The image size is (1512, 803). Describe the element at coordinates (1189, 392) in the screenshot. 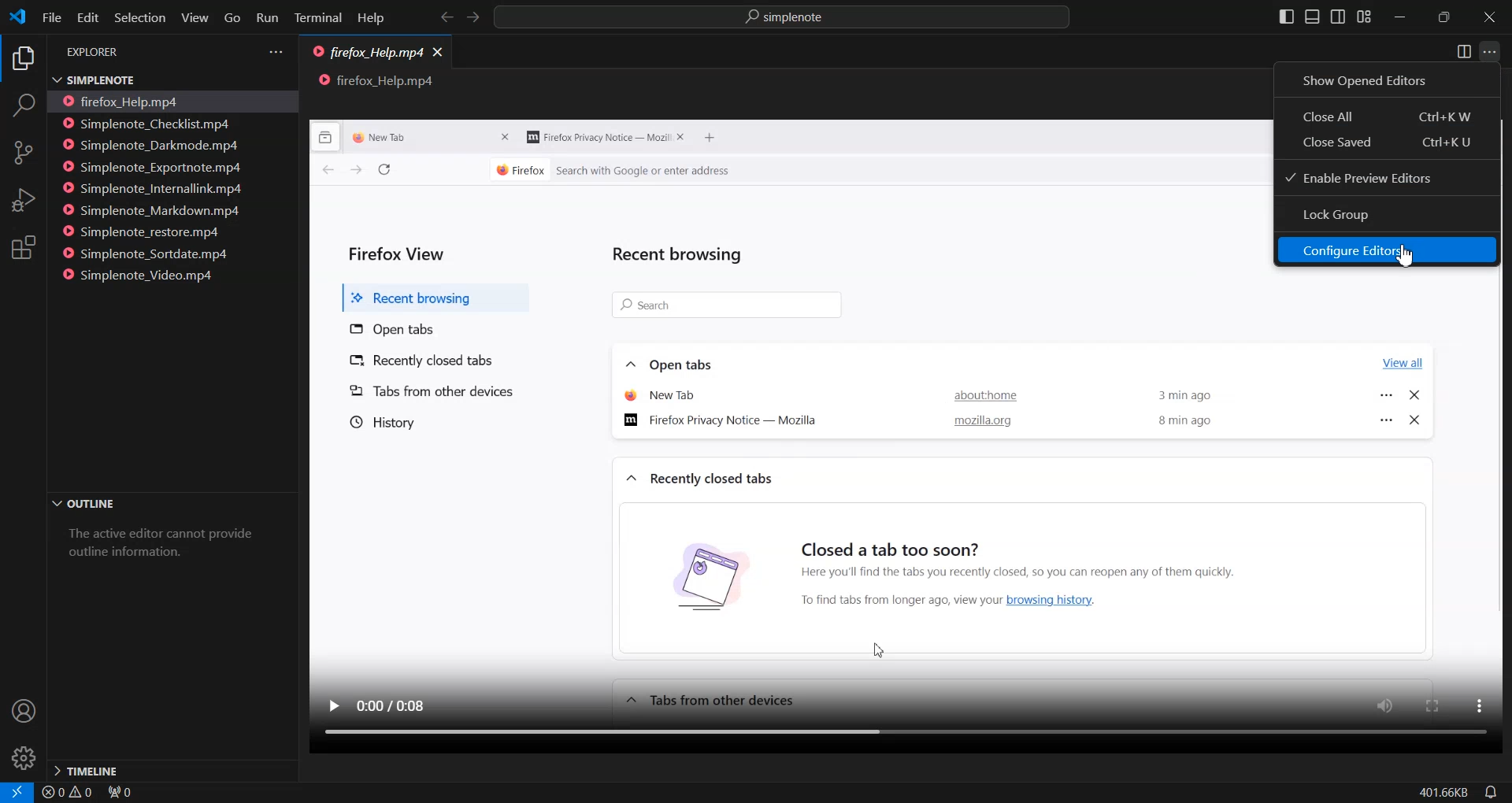

I see `3 min ago` at that location.